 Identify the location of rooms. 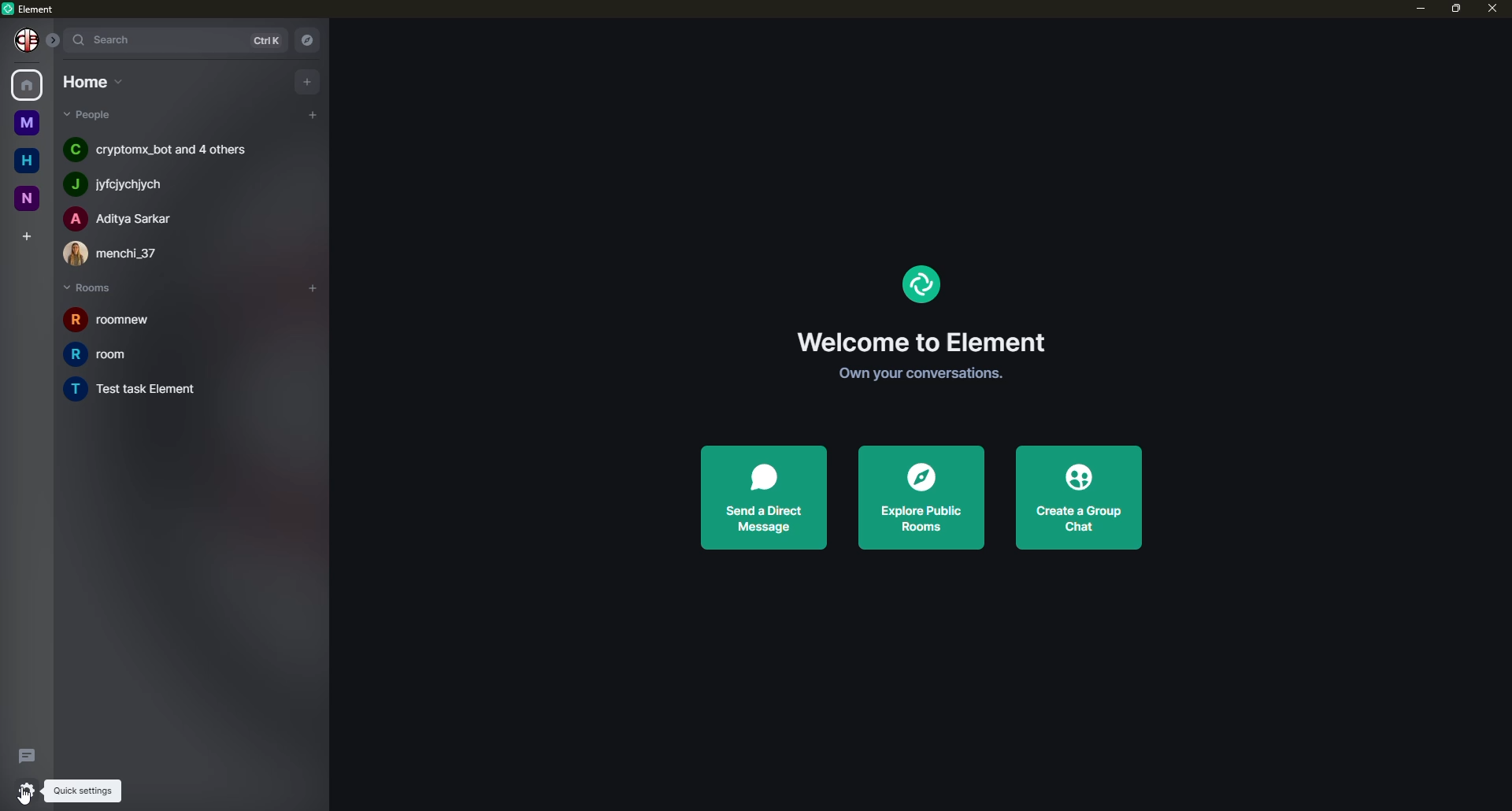
(93, 288).